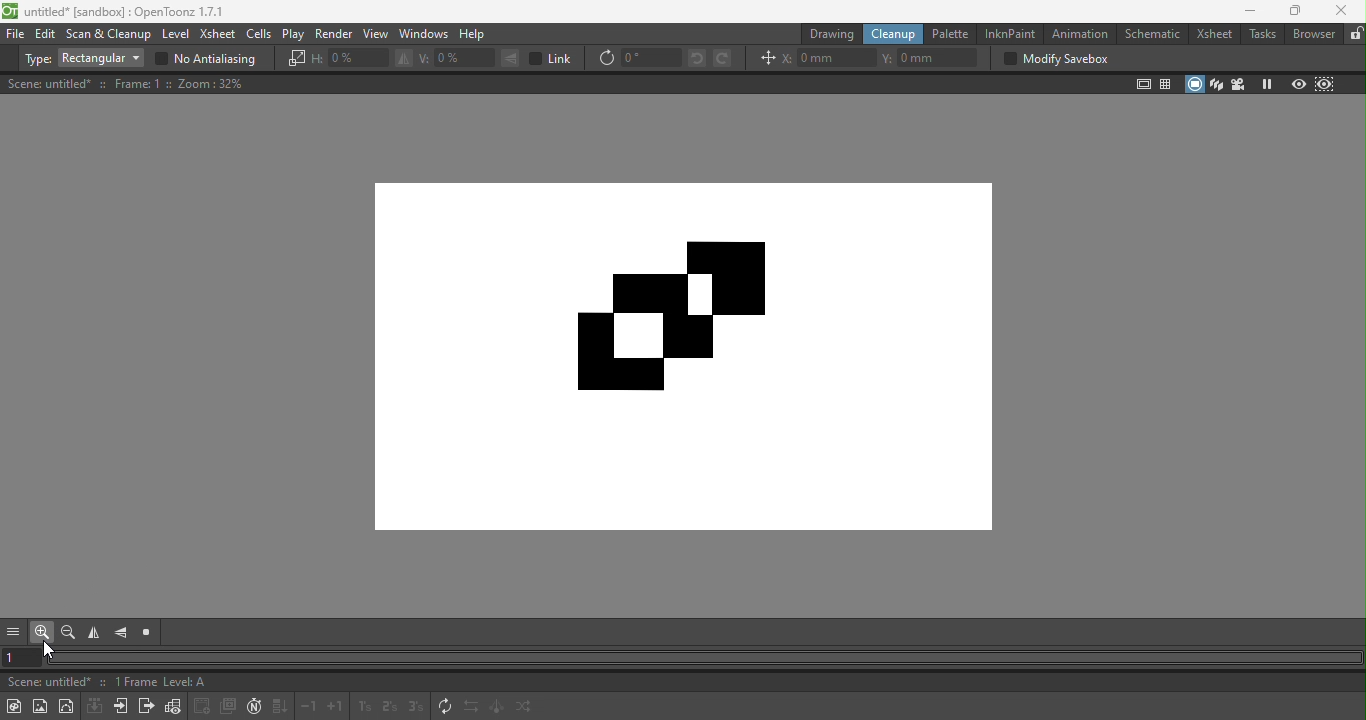 The image size is (1366, 720). What do you see at coordinates (891, 35) in the screenshot?
I see `Cleanup` at bounding box center [891, 35].